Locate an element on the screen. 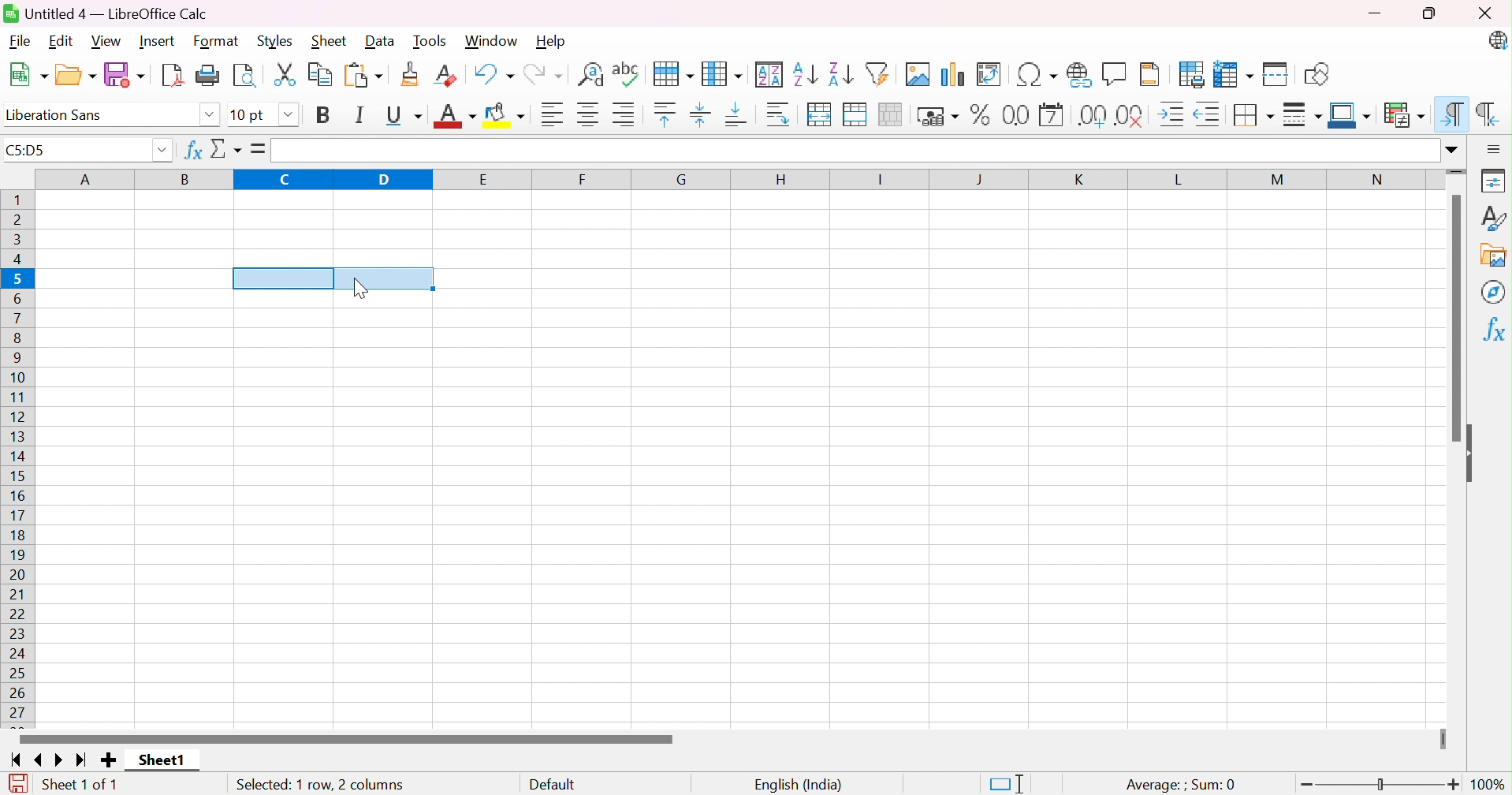 This screenshot has height=795, width=1512. Format is located at coordinates (217, 40).